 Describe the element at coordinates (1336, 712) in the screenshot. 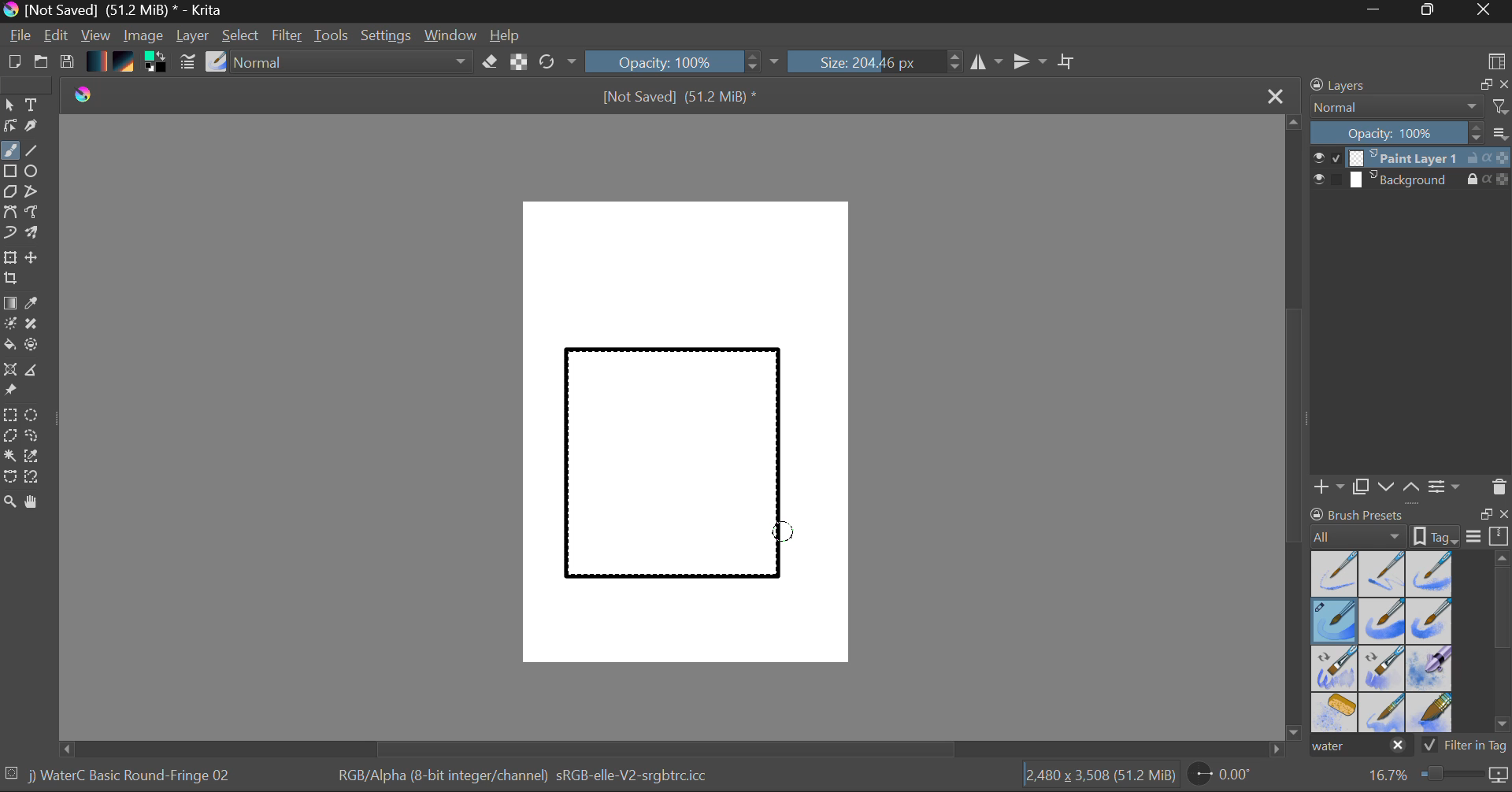

I see `Water C - Special Splats` at that location.